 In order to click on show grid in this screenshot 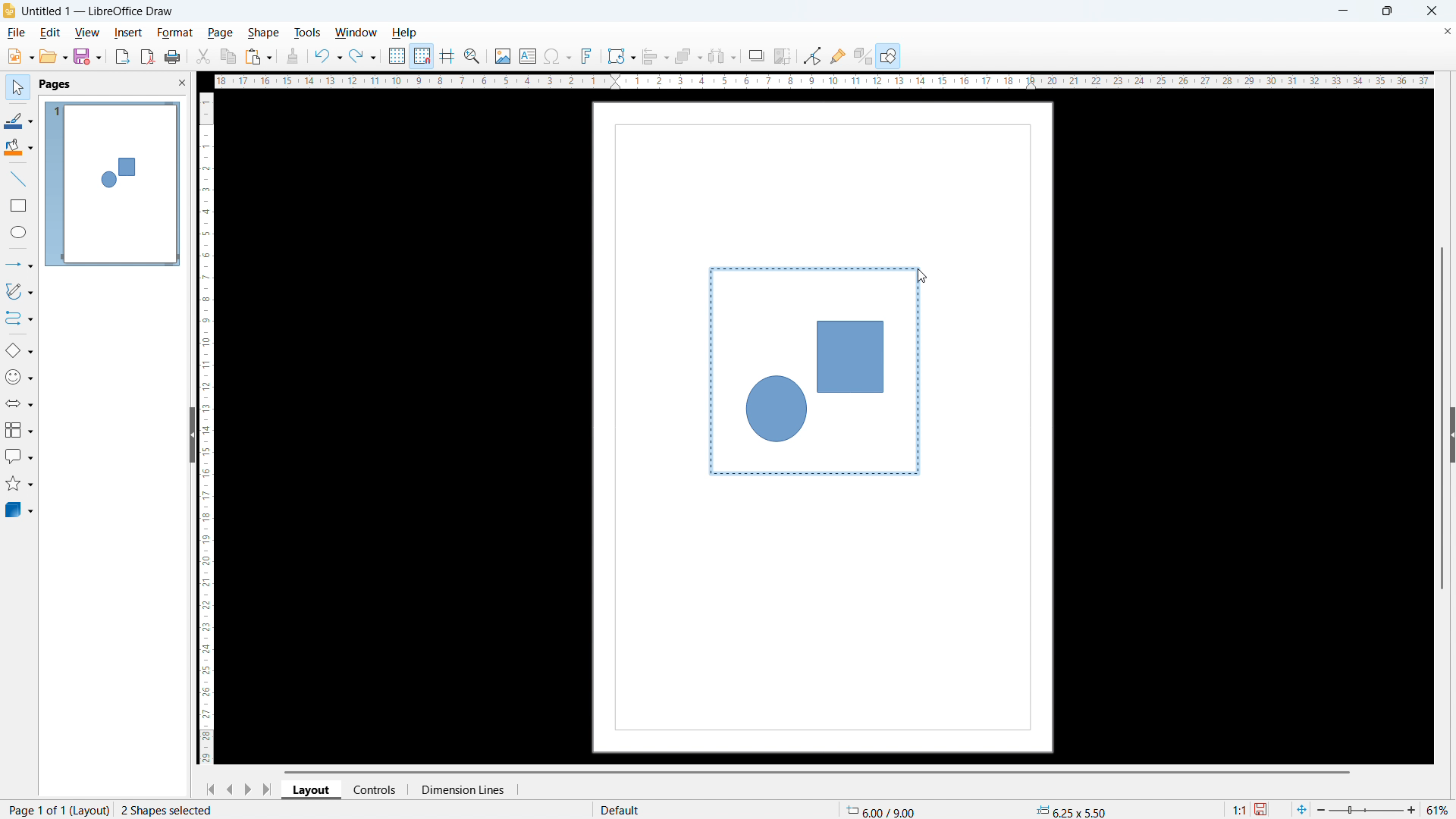, I will do `click(397, 56)`.